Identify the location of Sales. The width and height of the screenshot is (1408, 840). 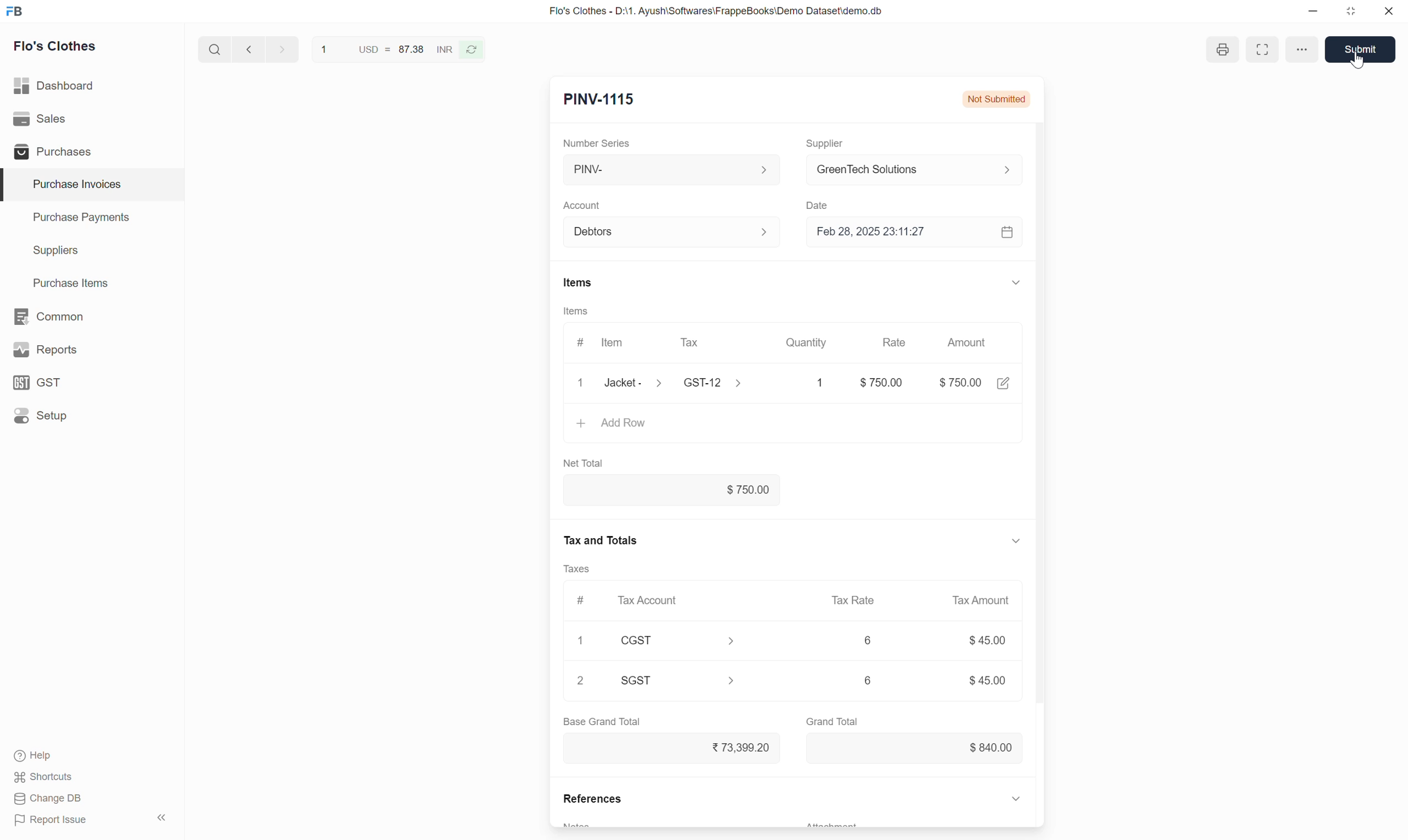
(91, 119).